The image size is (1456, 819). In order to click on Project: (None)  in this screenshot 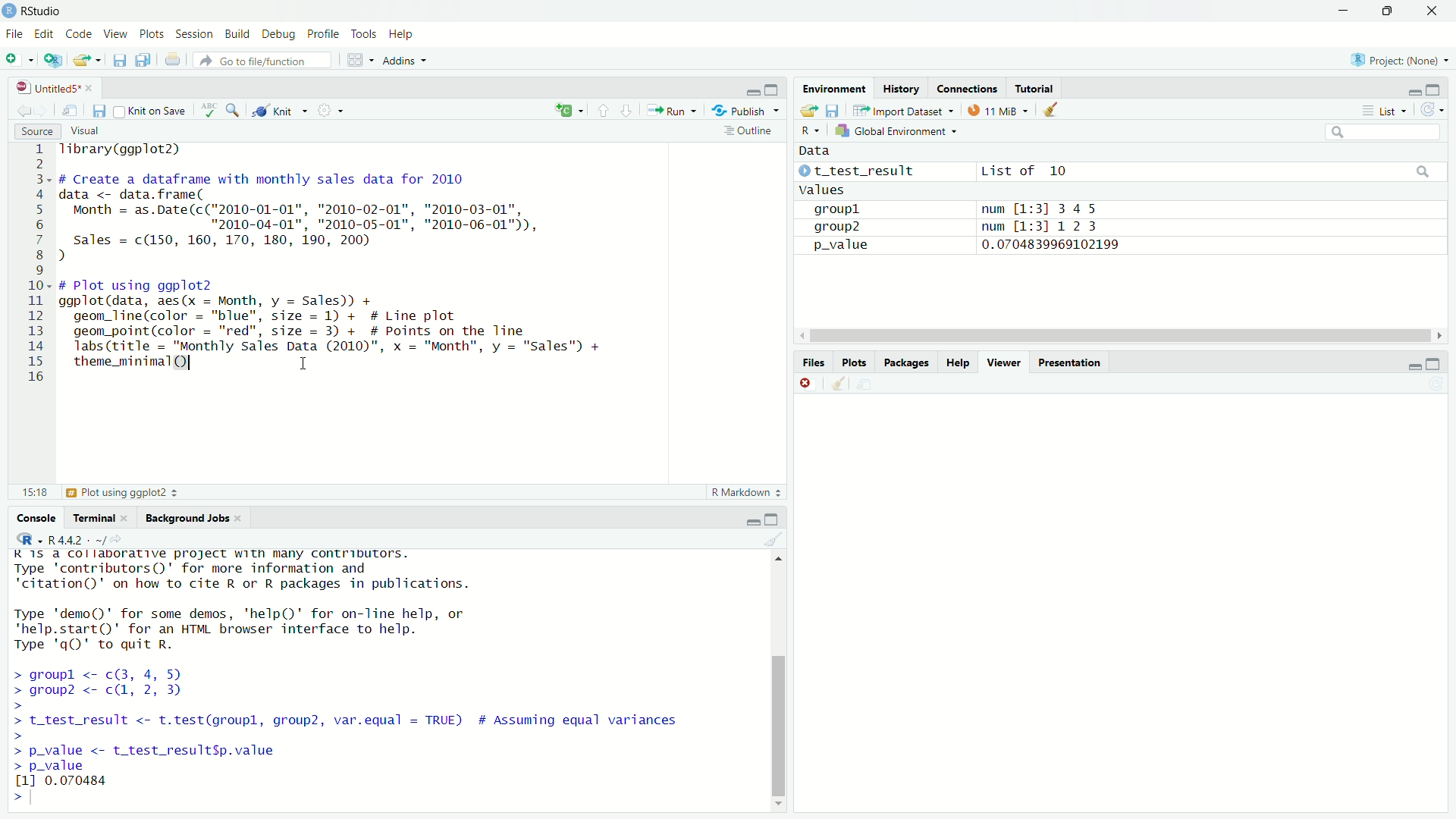, I will do `click(1403, 58)`.